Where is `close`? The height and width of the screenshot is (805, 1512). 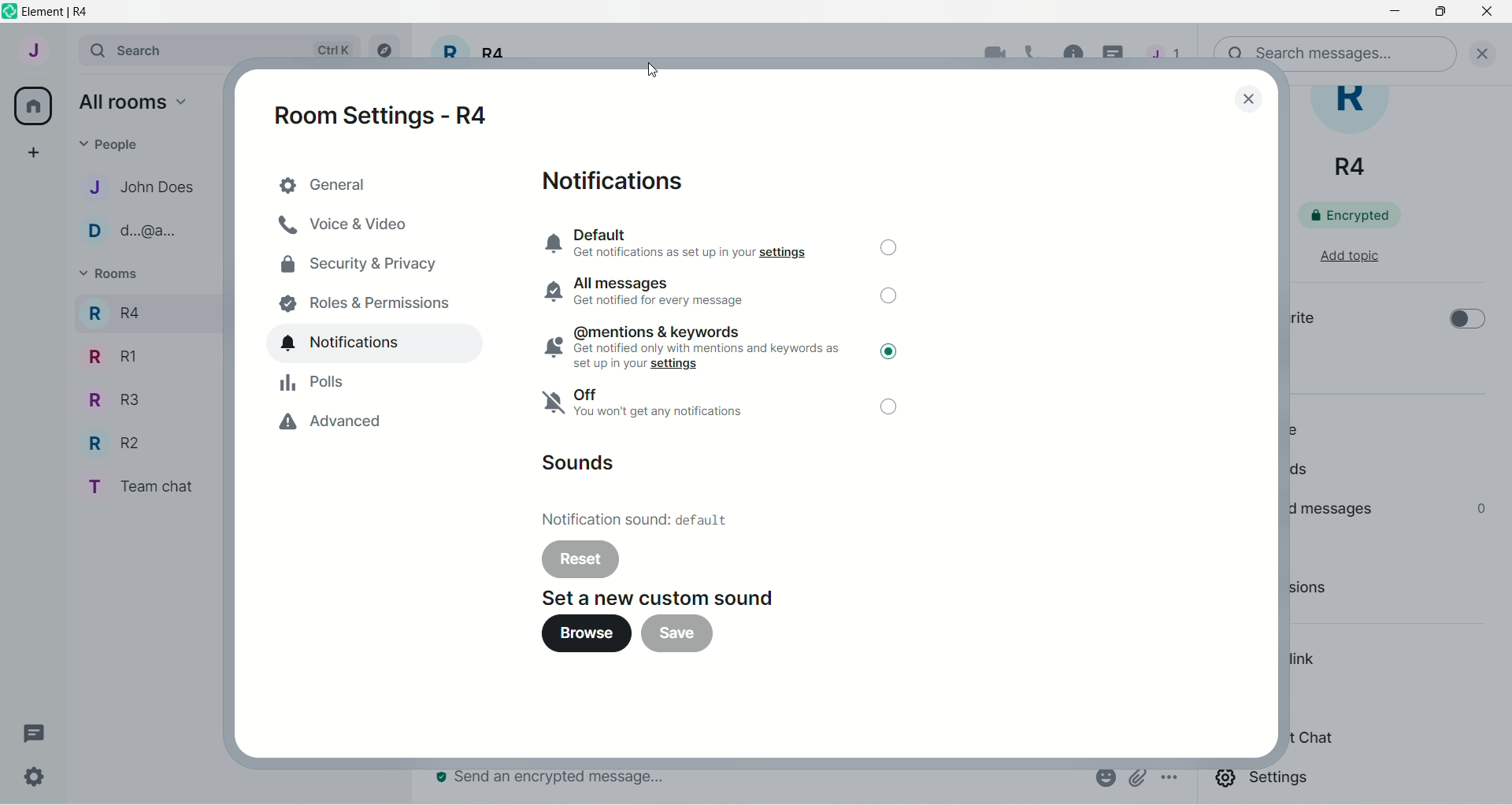 close is located at coordinates (1487, 15).